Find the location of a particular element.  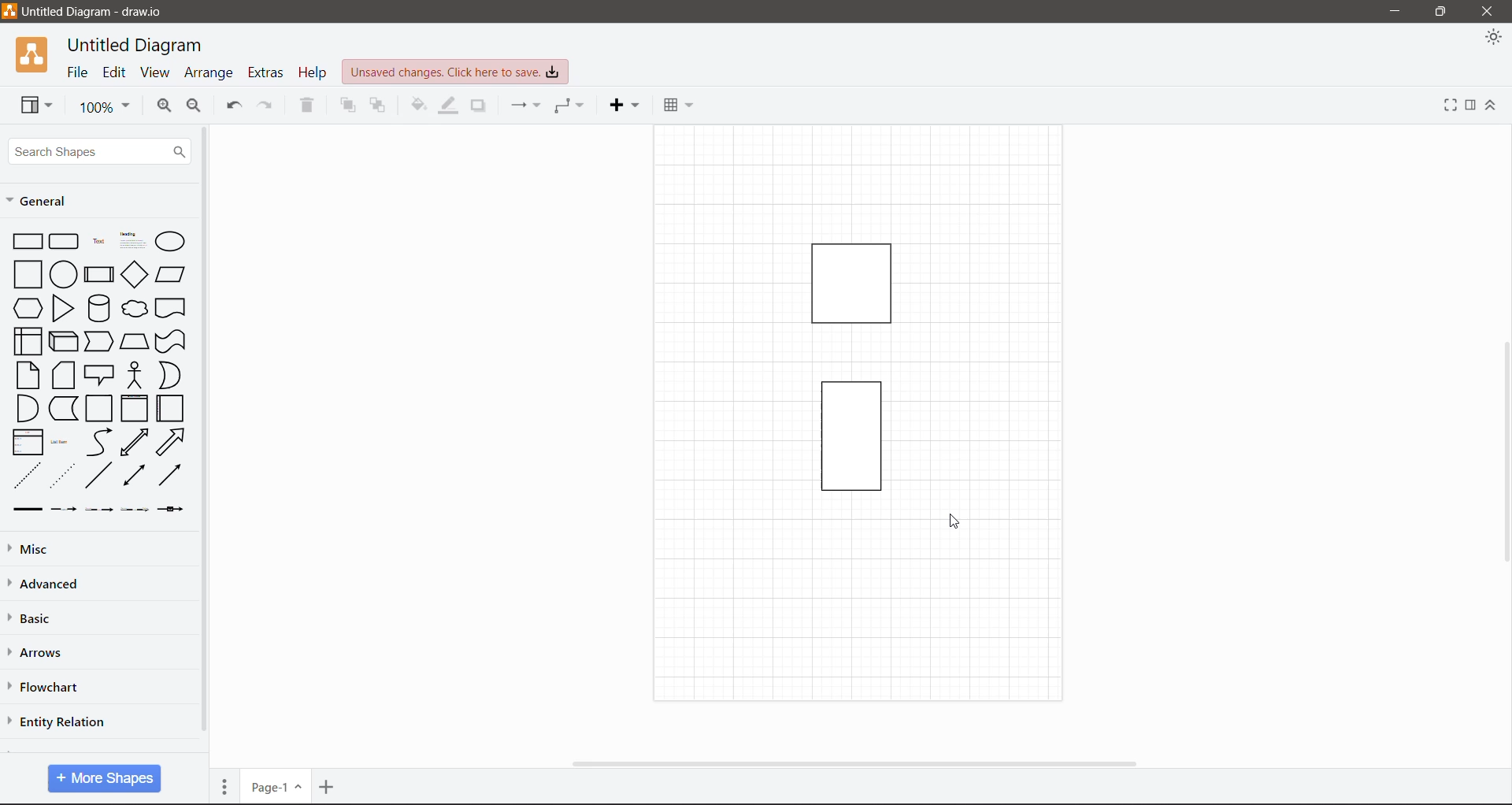

Advanced is located at coordinates (54, 584).